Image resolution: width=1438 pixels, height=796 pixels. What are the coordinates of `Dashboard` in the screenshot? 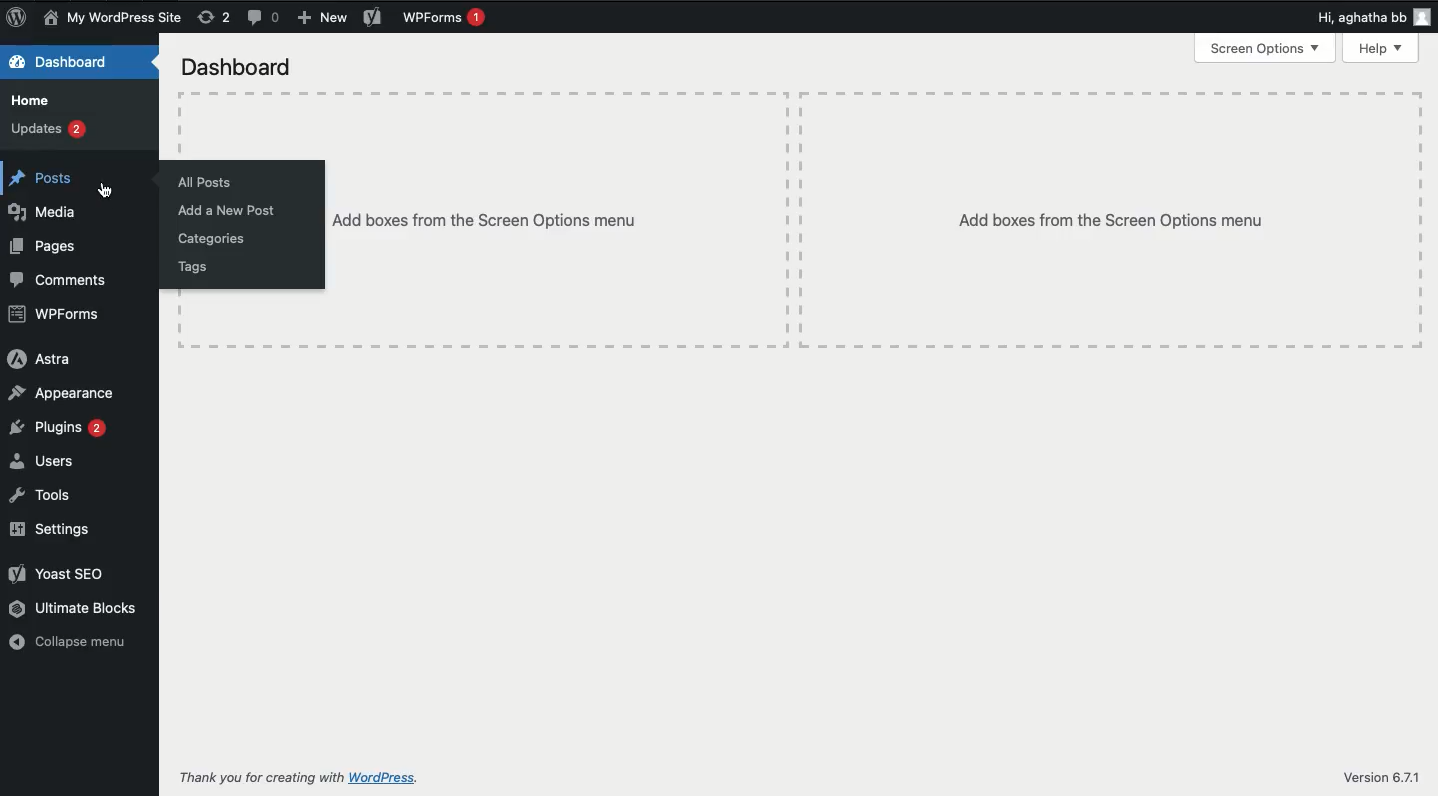 It's located at (242, 67).